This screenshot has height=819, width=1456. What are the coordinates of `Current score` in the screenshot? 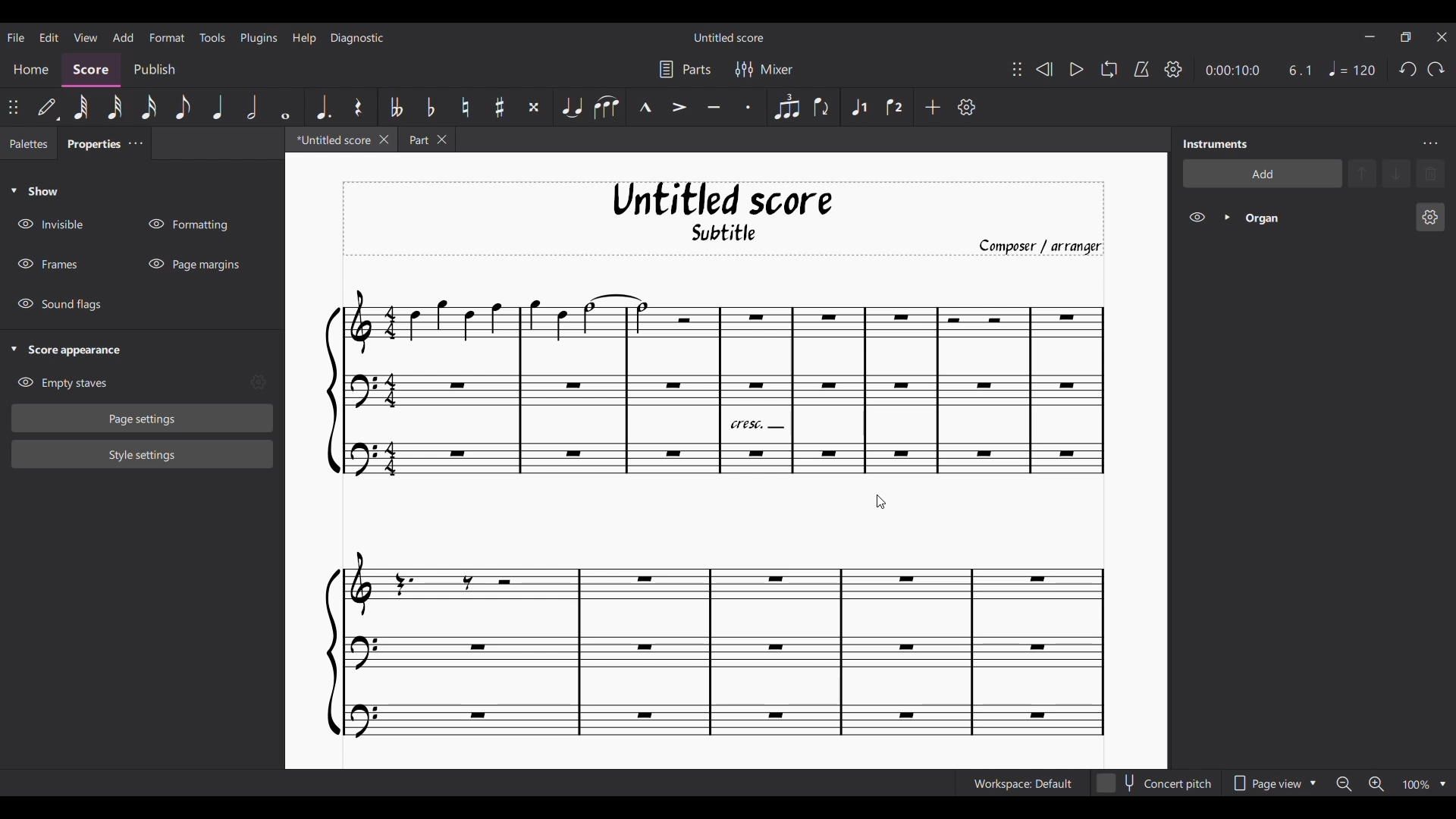 It's located at (716, 514).